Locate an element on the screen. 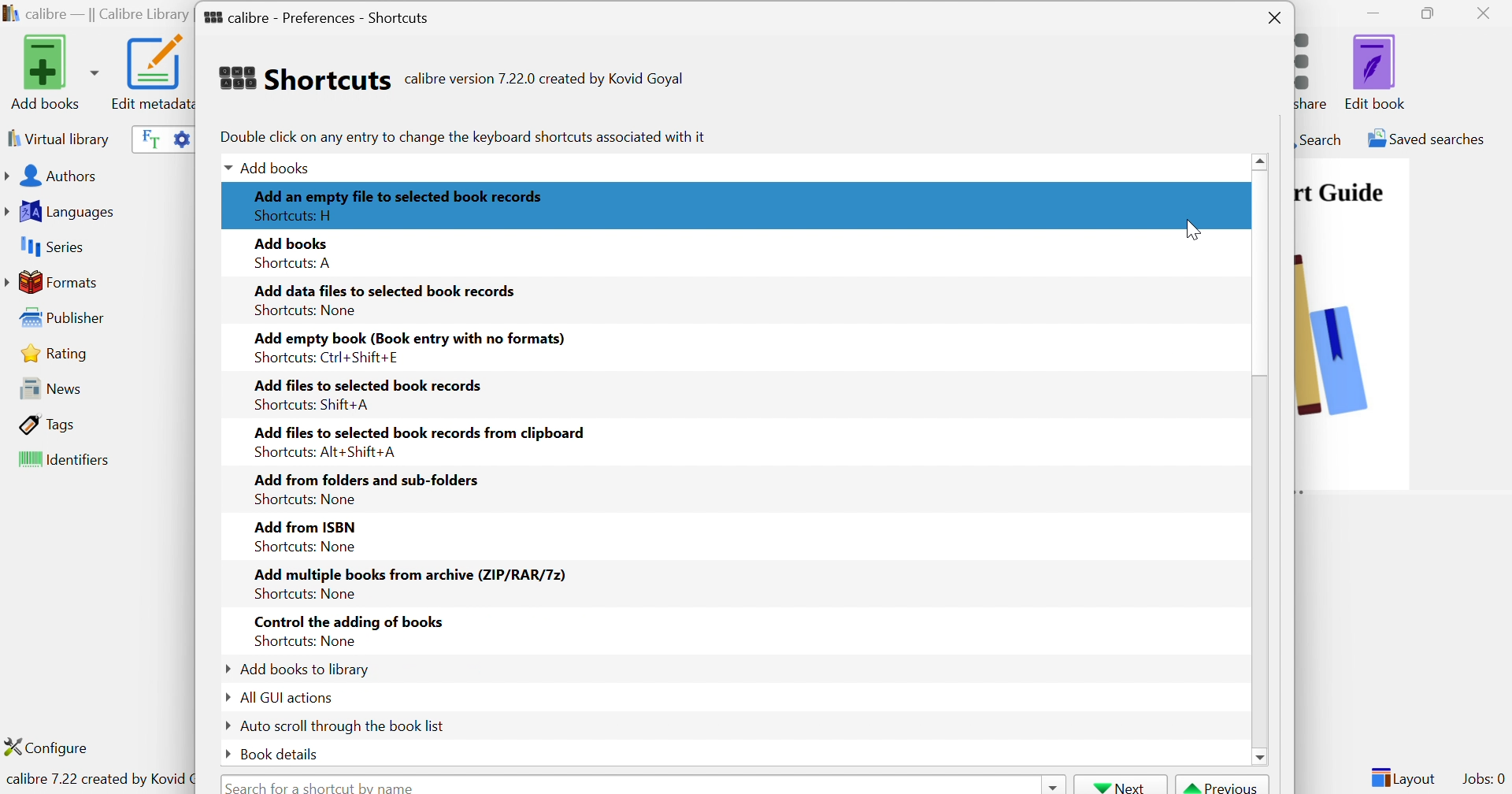  Shortcuts: None is located at coordinates (306, 309).